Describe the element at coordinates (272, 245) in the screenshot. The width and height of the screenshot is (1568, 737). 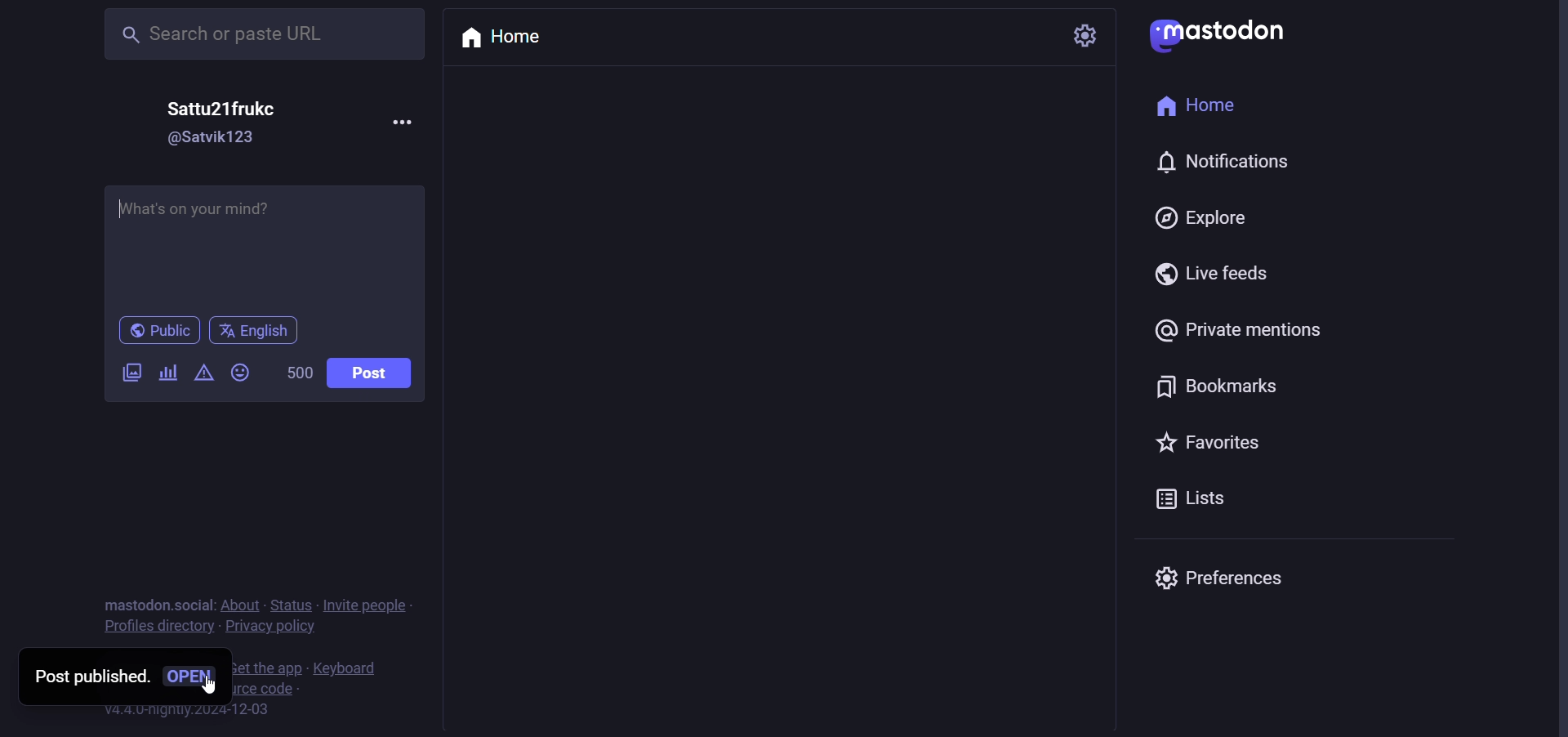
I see `football advise` at that location.